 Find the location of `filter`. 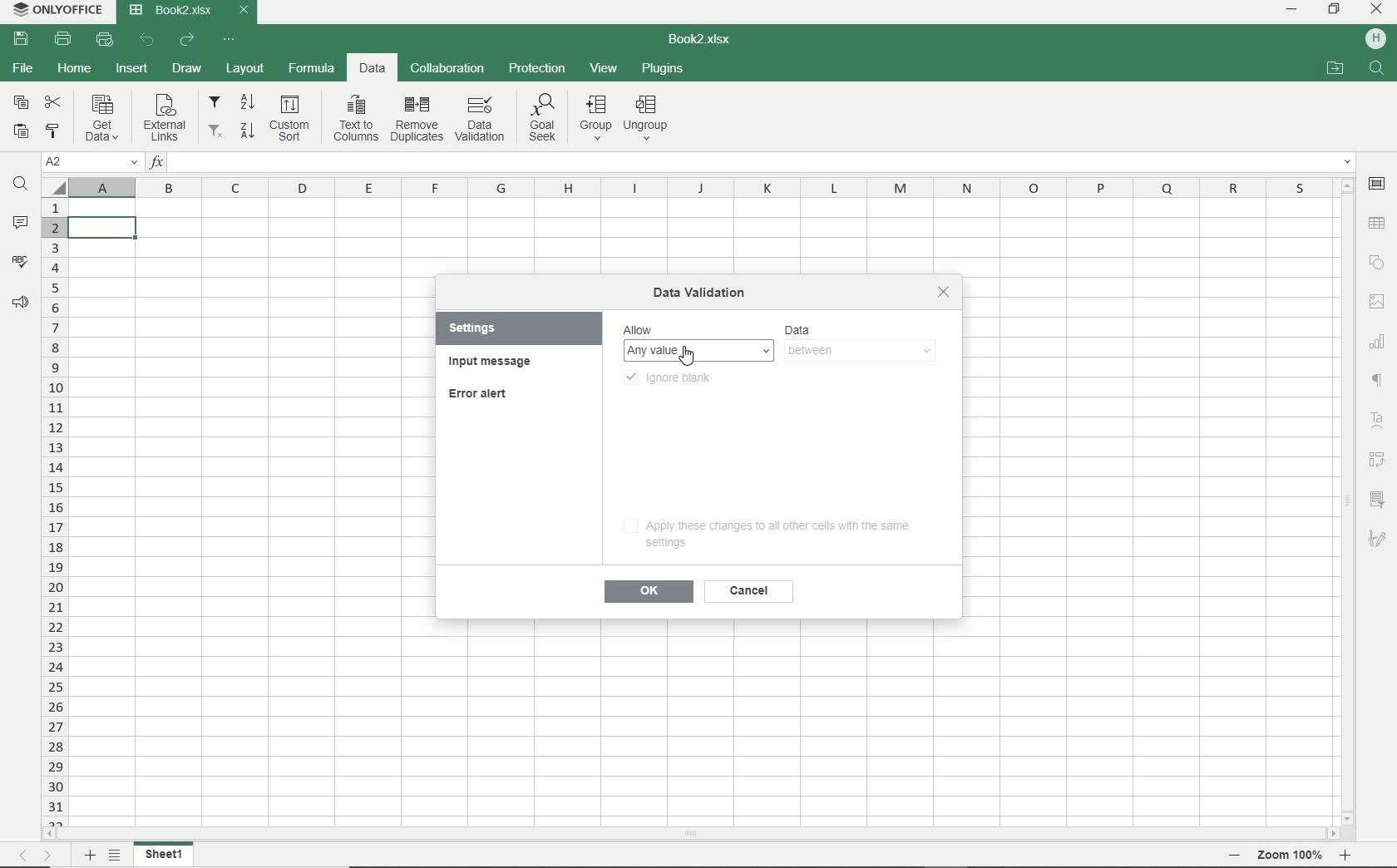

filter is located at coordinates (216, 102).